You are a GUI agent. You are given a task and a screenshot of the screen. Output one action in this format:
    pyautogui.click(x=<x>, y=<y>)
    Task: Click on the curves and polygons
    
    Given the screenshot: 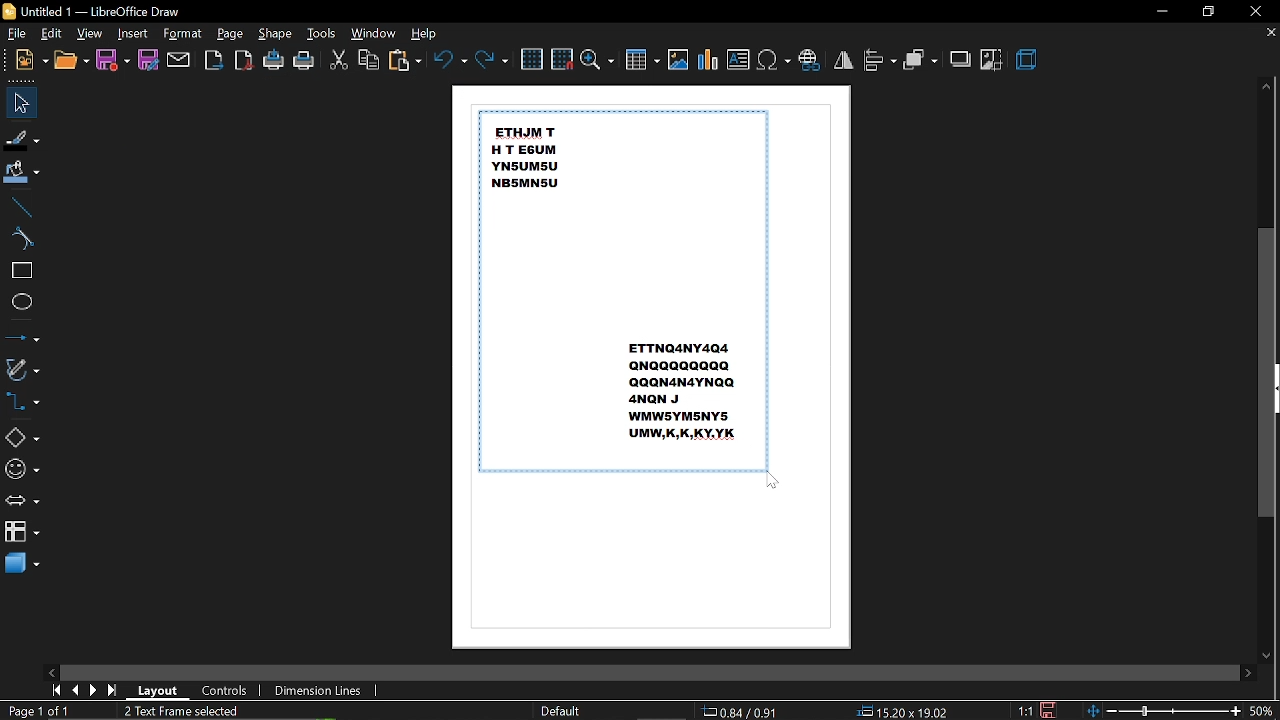 What is the action you would take?
    pyautogui.click(x=24, y=369)
    